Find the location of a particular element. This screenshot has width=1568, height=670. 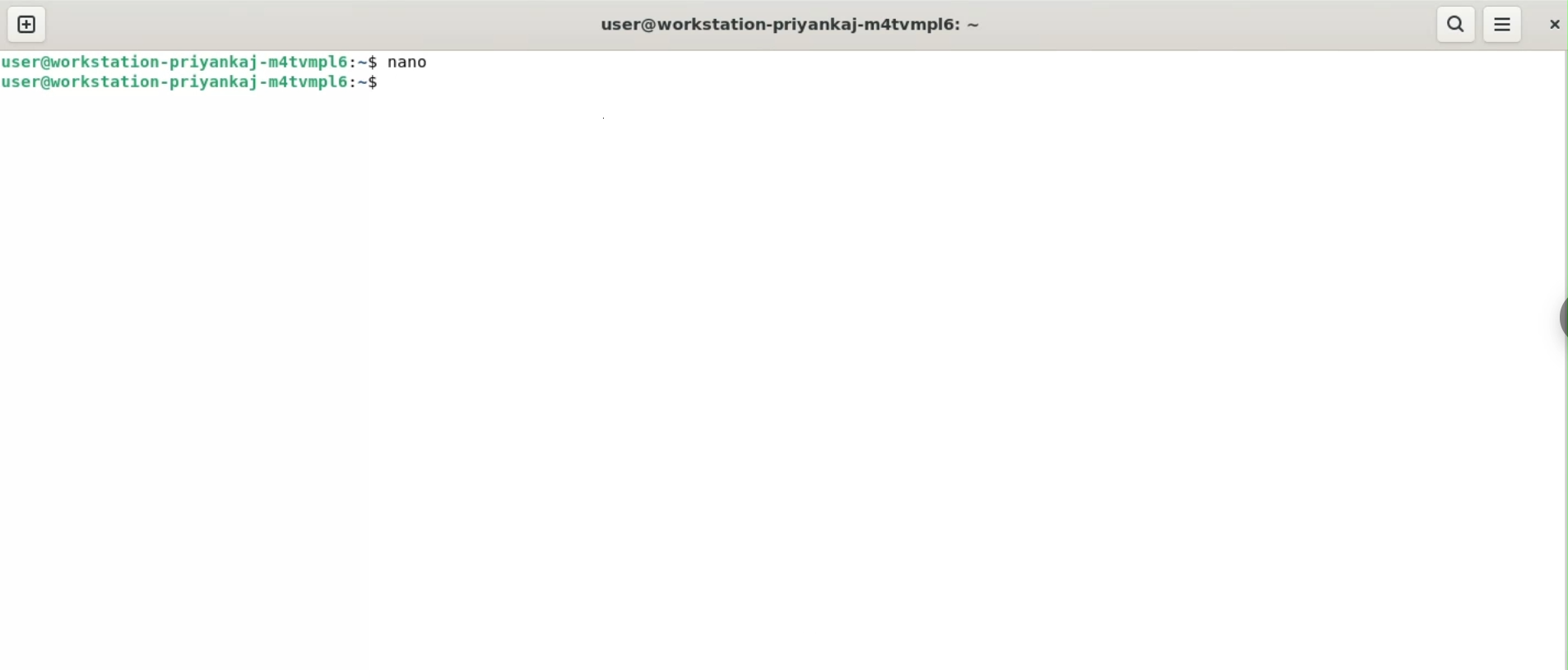

nano is located at coordinates (407, 60).